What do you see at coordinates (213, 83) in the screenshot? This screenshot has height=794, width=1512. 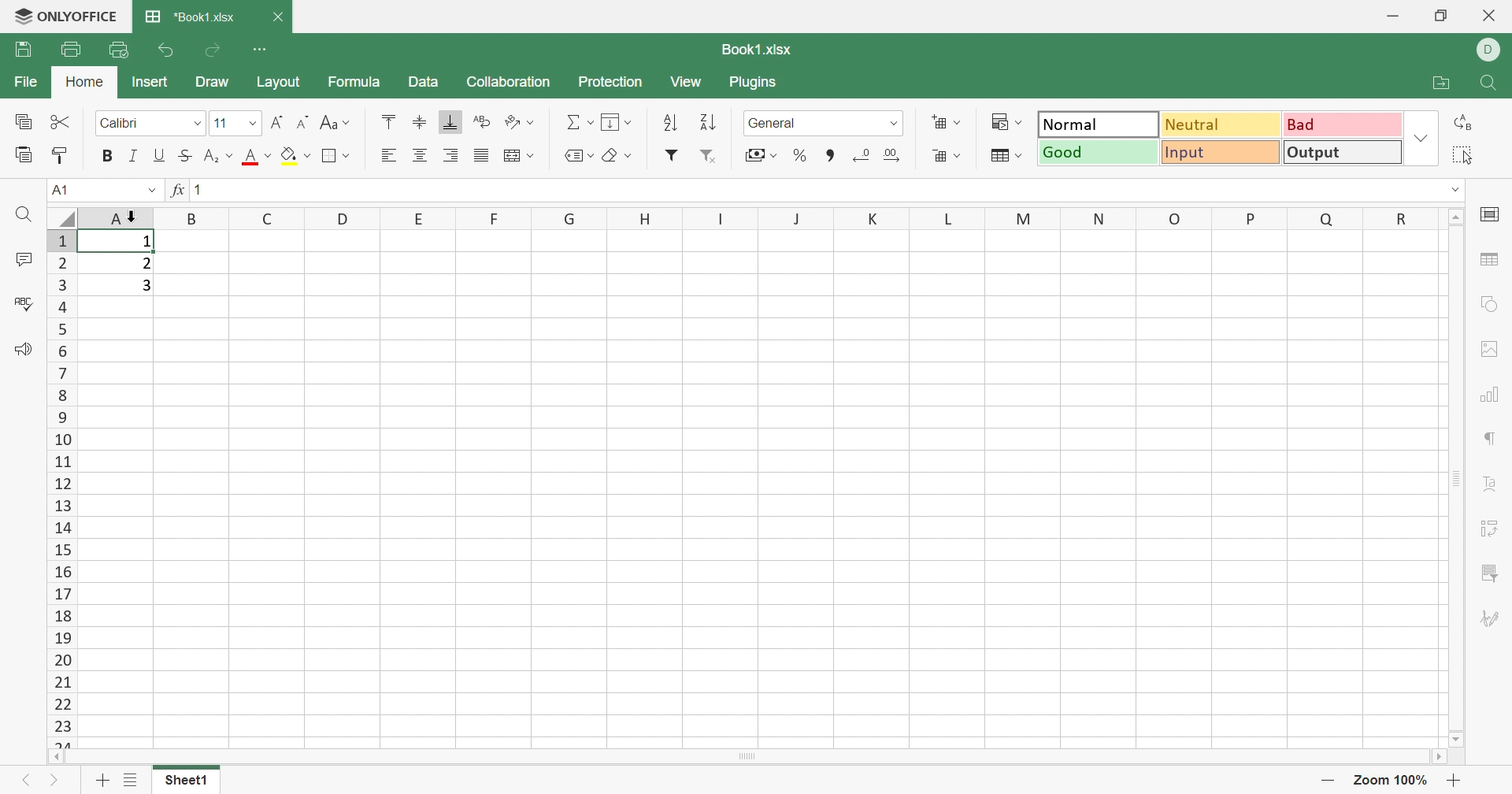 I see `Draw` at bounding box center [213, 83].